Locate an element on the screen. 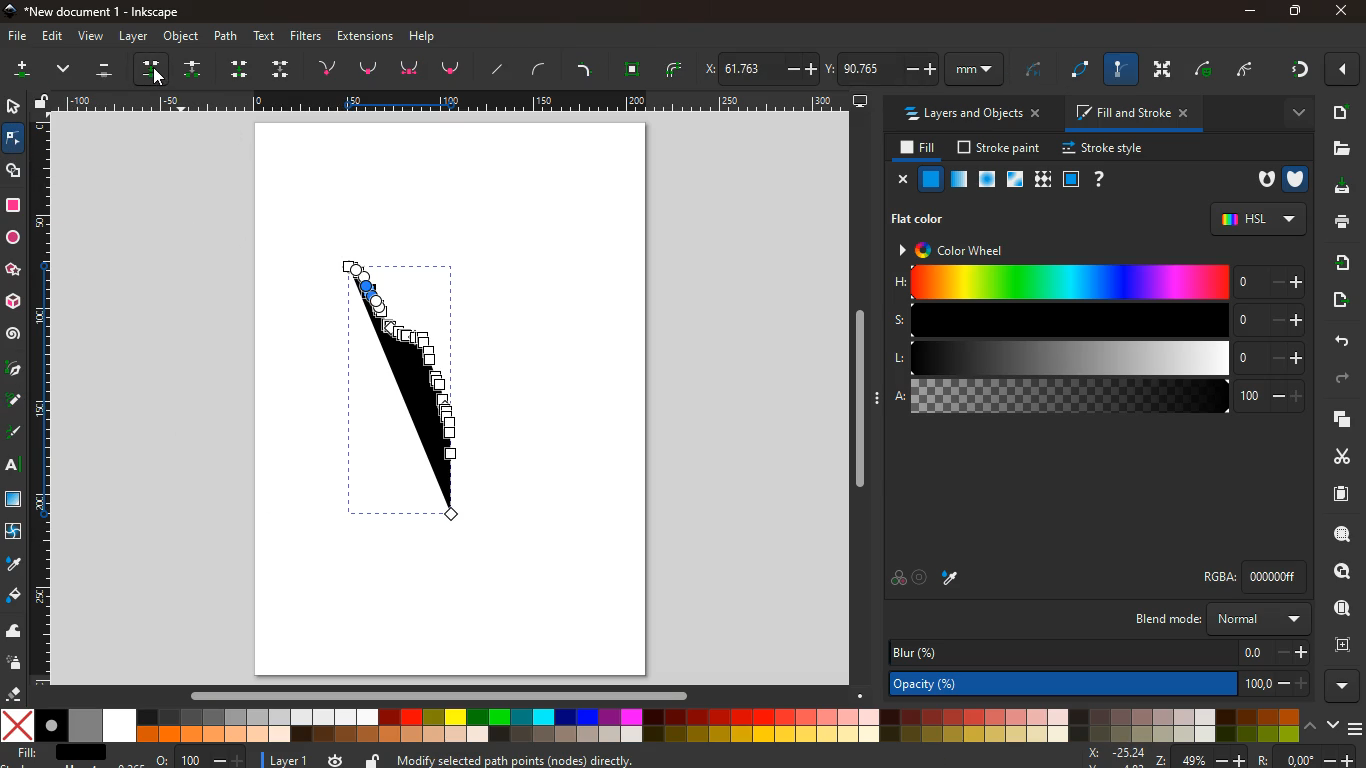 The height and width of the screenshot is (768, 1366). node is located at coordinates (15, 137).